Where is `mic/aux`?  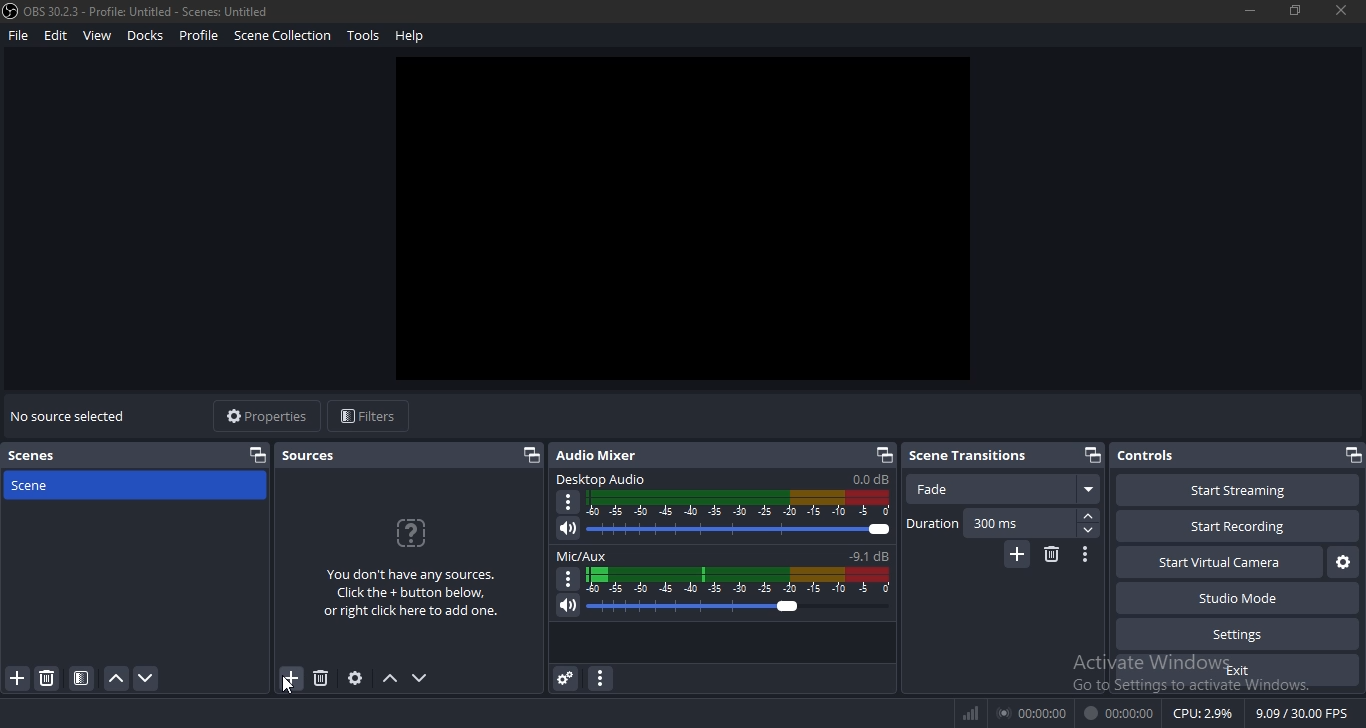 mic/aux is located at coordinates (725, 587).